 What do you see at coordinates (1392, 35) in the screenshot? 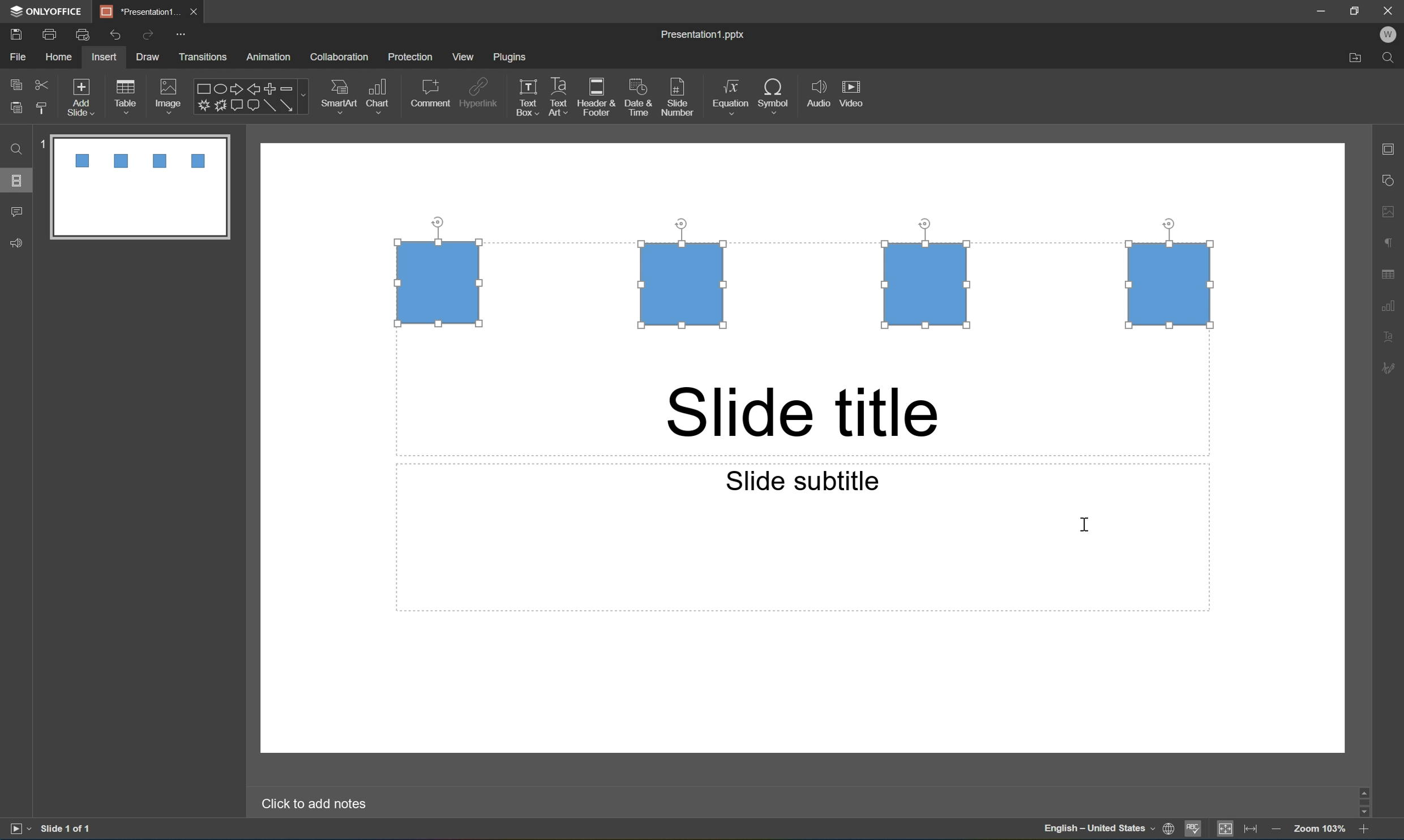
I see `W` at bounding box center [1392, 35].